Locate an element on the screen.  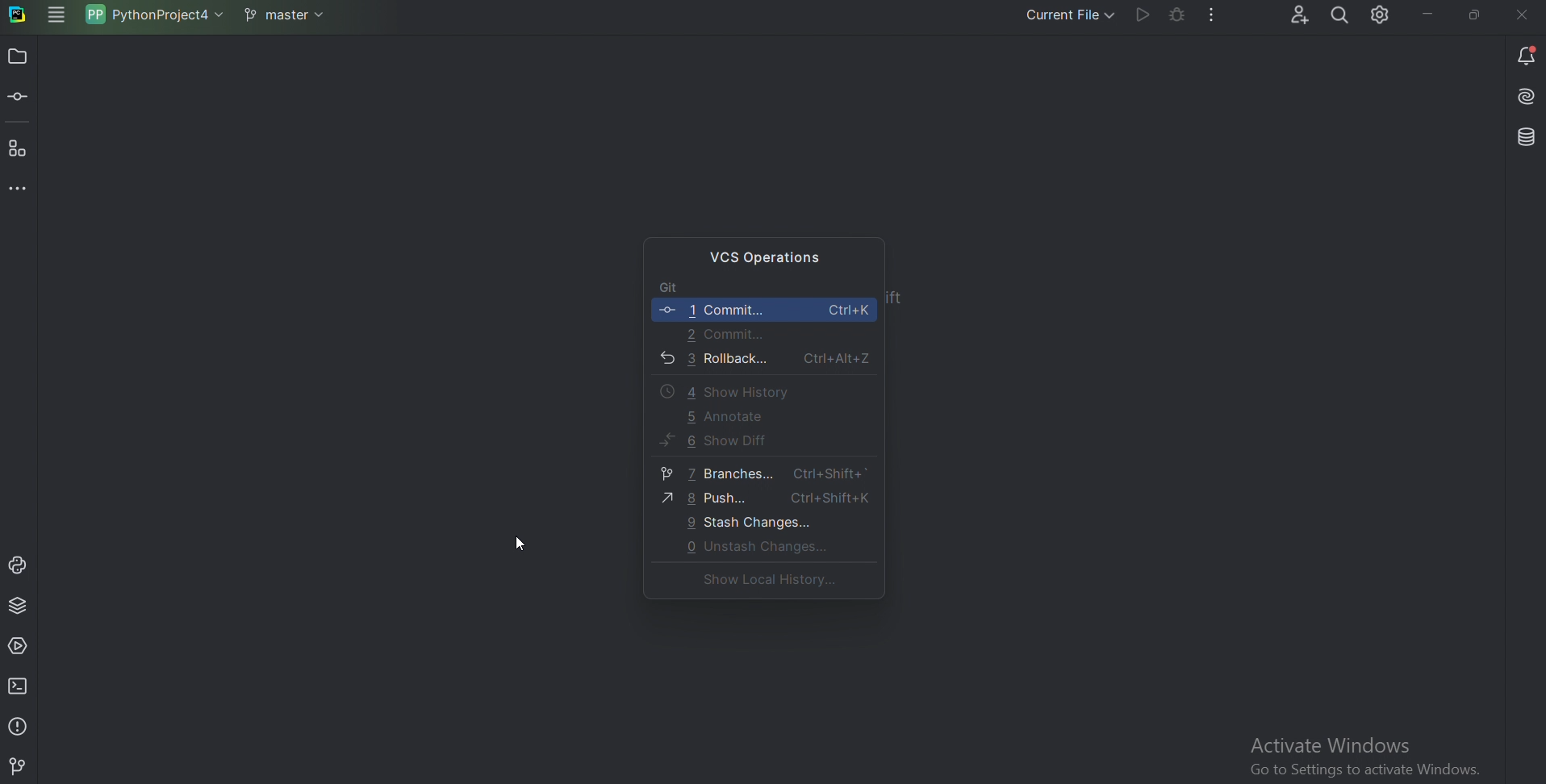
Push is located at coordinates (764, 498).